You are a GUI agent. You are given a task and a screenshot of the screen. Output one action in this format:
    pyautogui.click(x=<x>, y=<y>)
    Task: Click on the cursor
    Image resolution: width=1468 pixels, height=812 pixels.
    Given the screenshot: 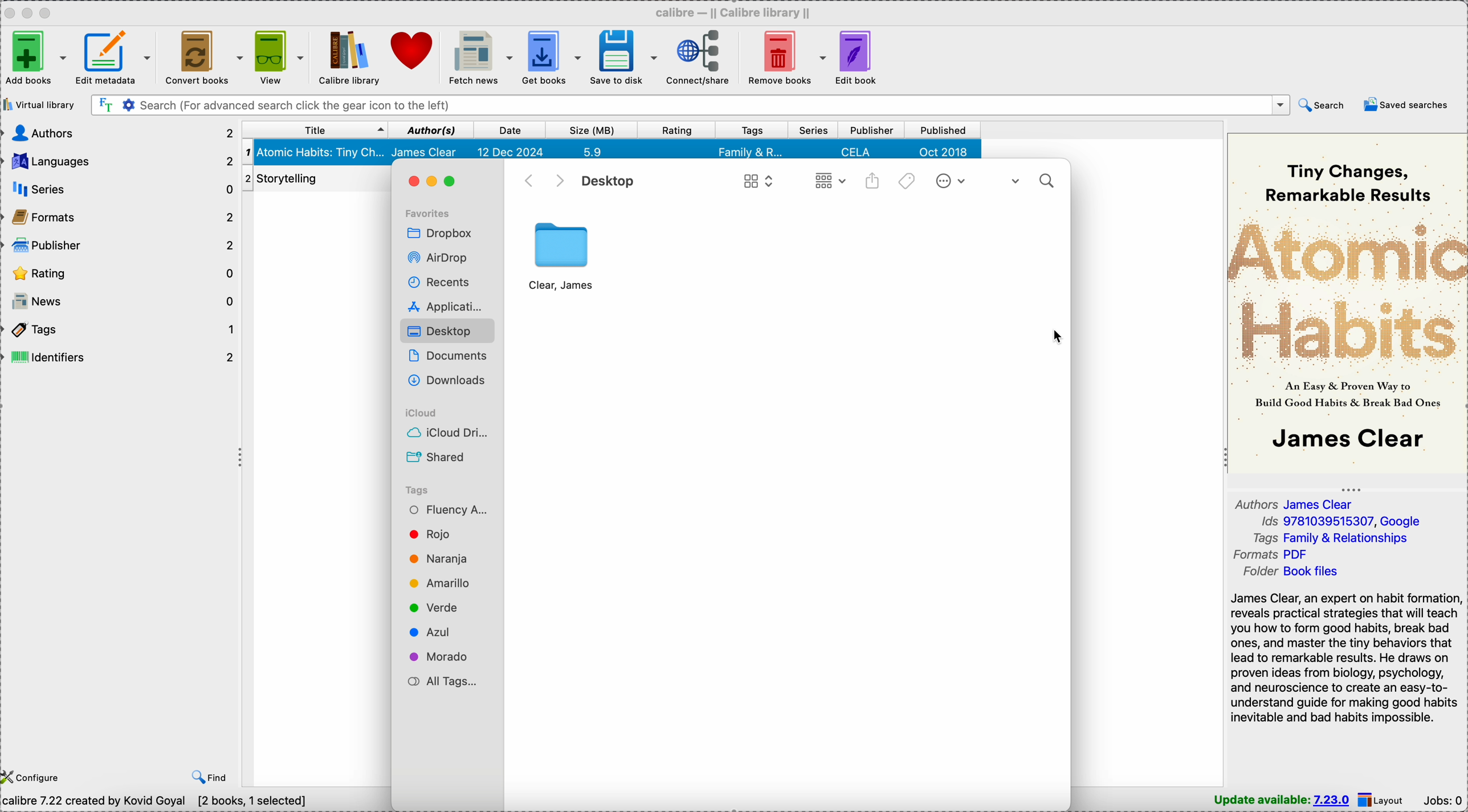 What is the action you would take?
    pyautogui.click(x=1057, y=337)
    